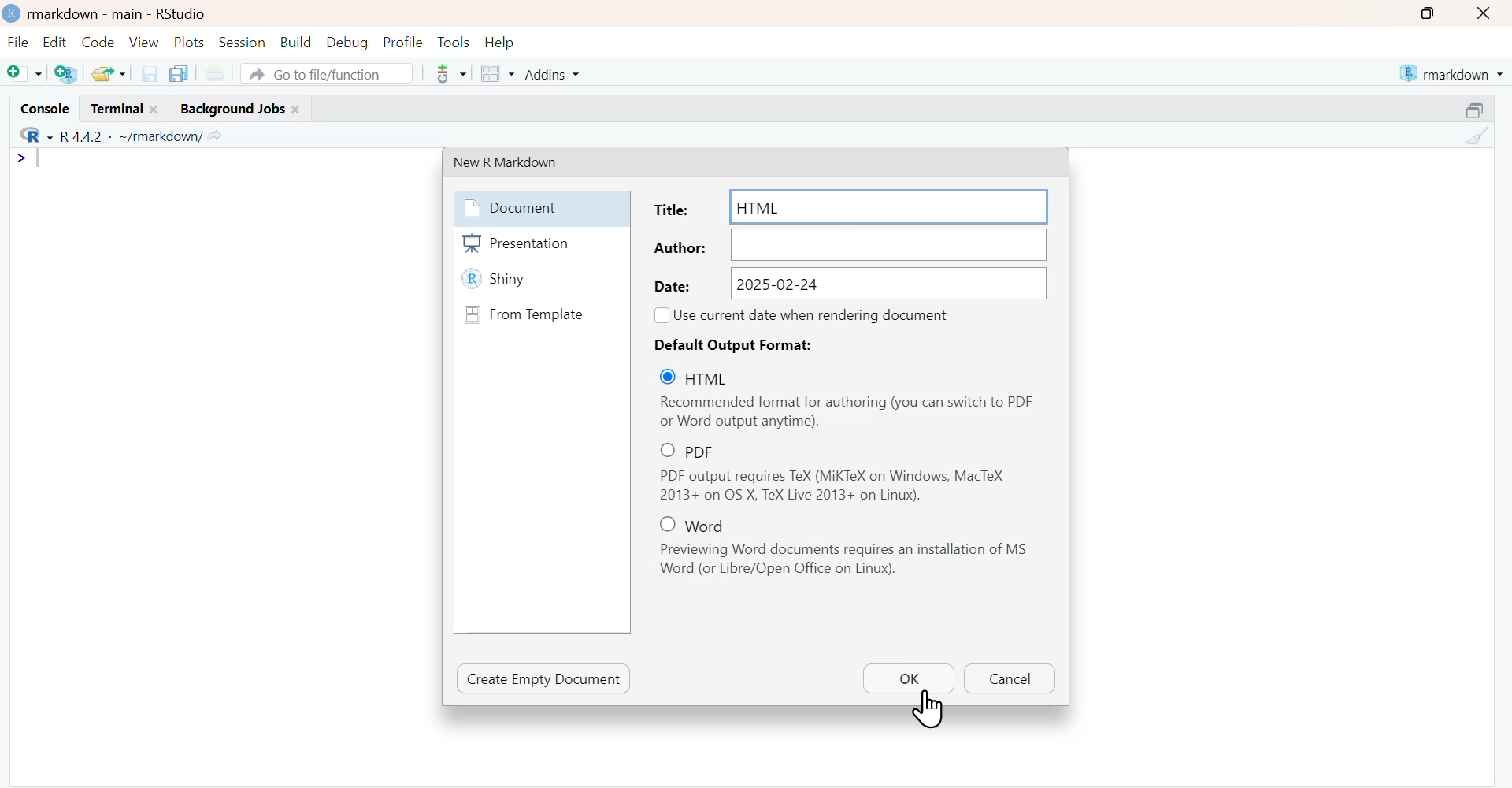 This screenshot has width=1512, height=788. What do you see at coordinates (217, 136) in the screenshot?
I see `go to directory` at bounding box center [217, 136].